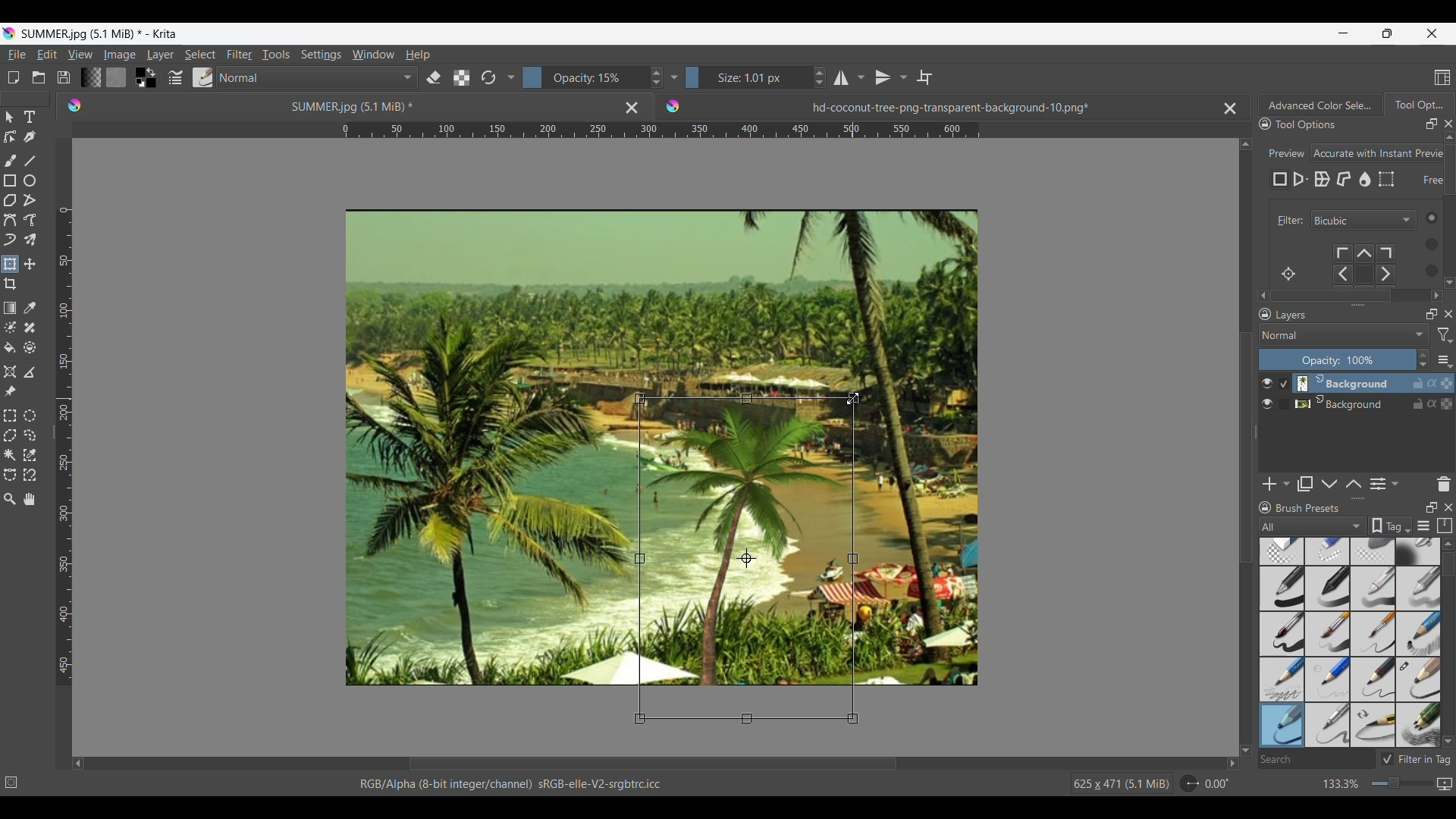 Image resolution: width=1456 pixels, height=819 pixels. What do you see at coordinates (1329, 485) in the screenshot?
I see `Move layer/mask down` at bounding box center [1329, 485].